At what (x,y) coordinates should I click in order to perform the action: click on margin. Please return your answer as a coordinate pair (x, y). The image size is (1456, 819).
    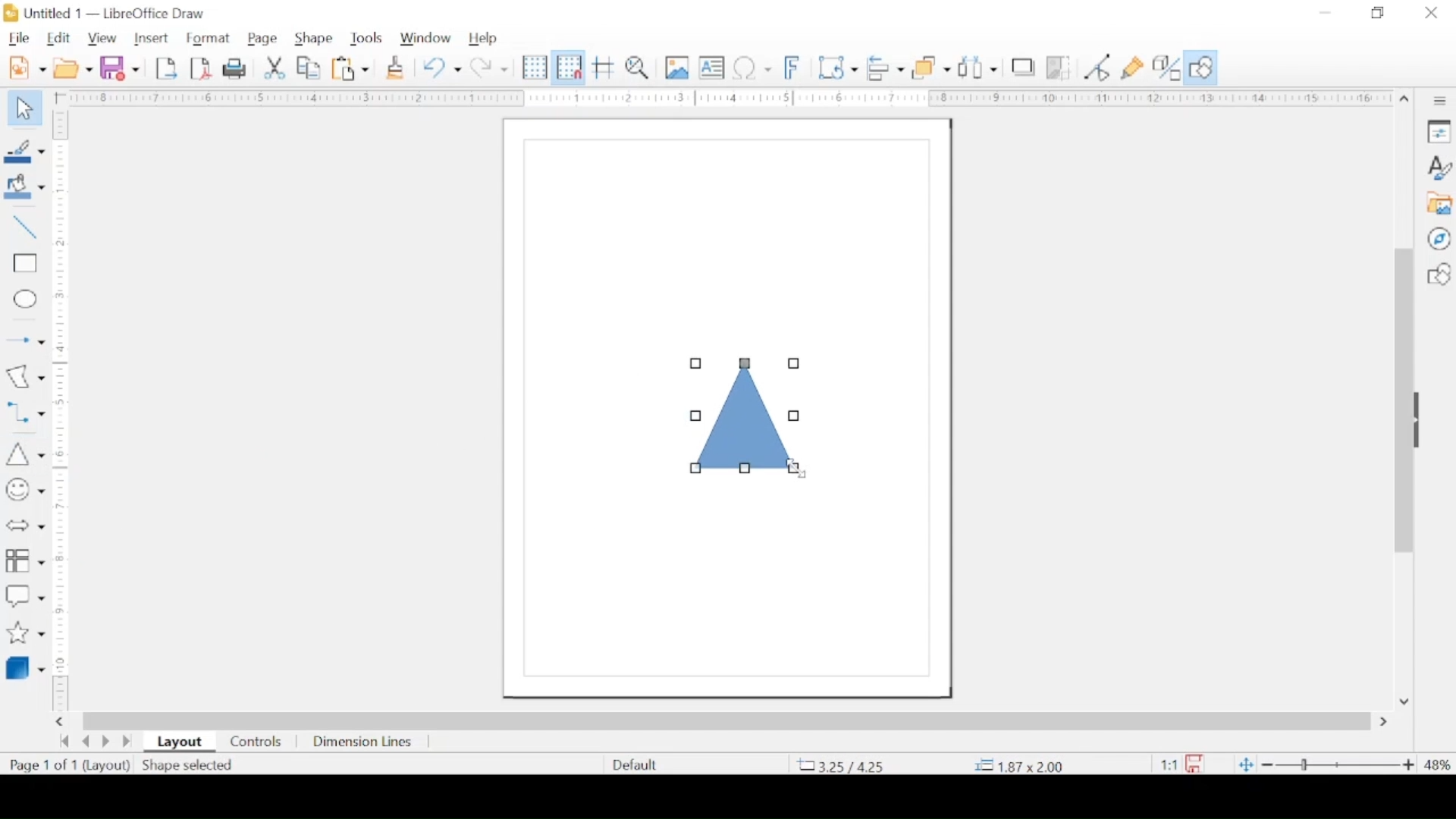
    Looking at the image, I should click on (63, 413).